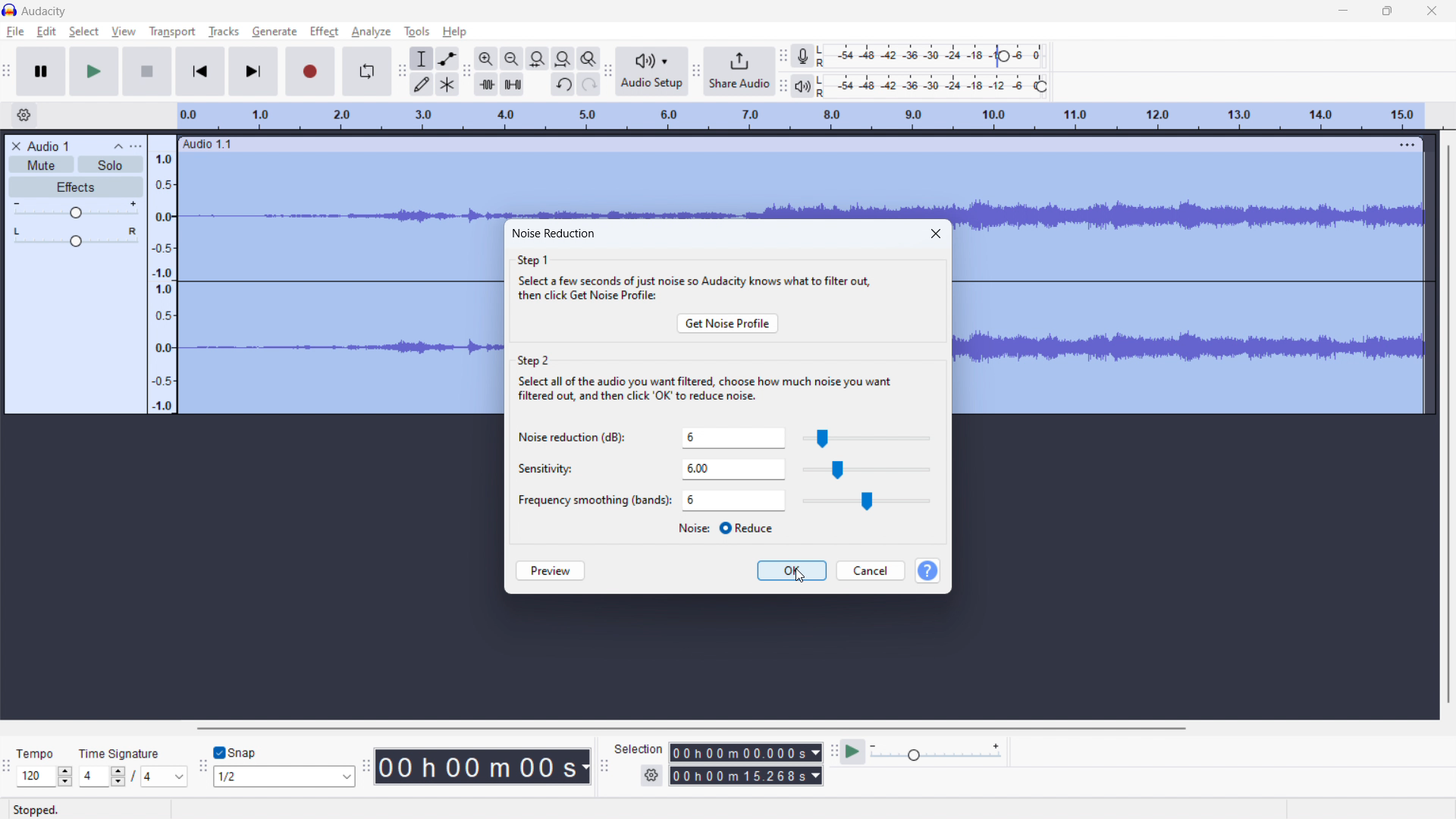 Image resolution: width=1456 pixels, height=819 pixels. I want to click on select reduce, so click(725, 529).